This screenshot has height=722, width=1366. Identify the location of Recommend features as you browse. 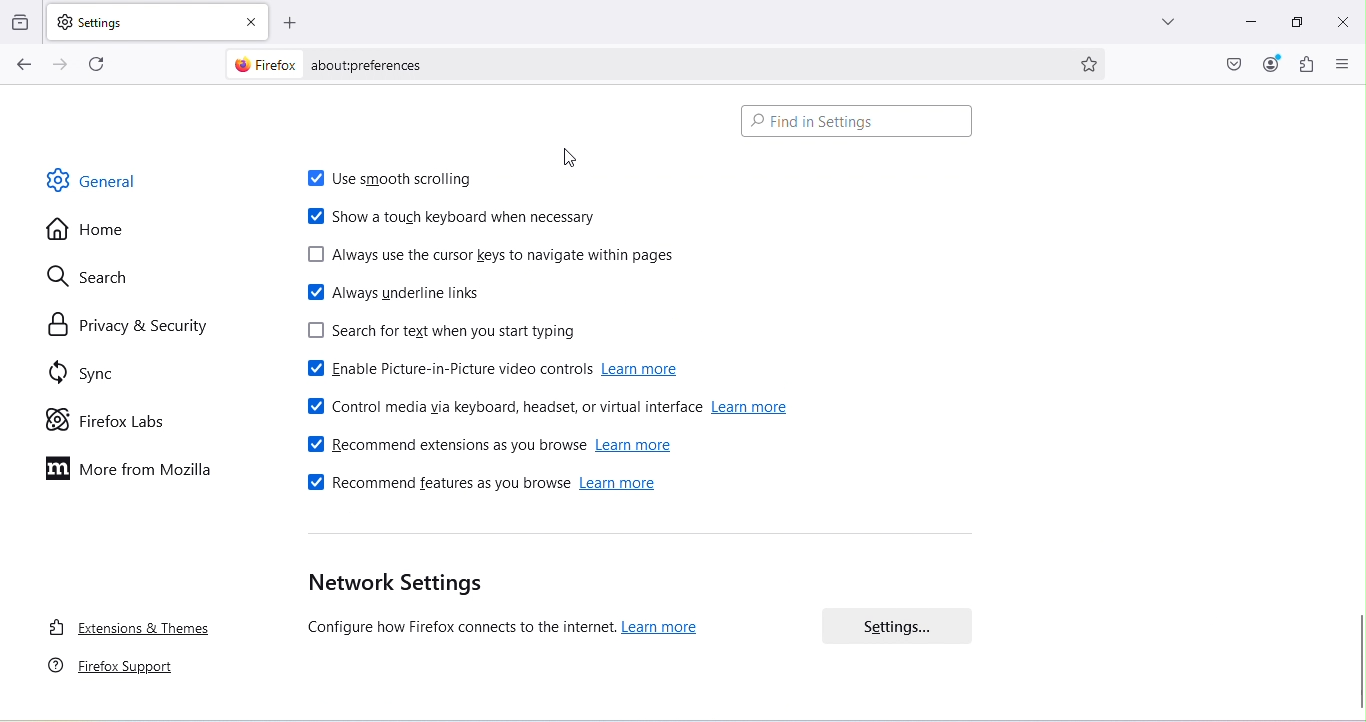
(436, 484).